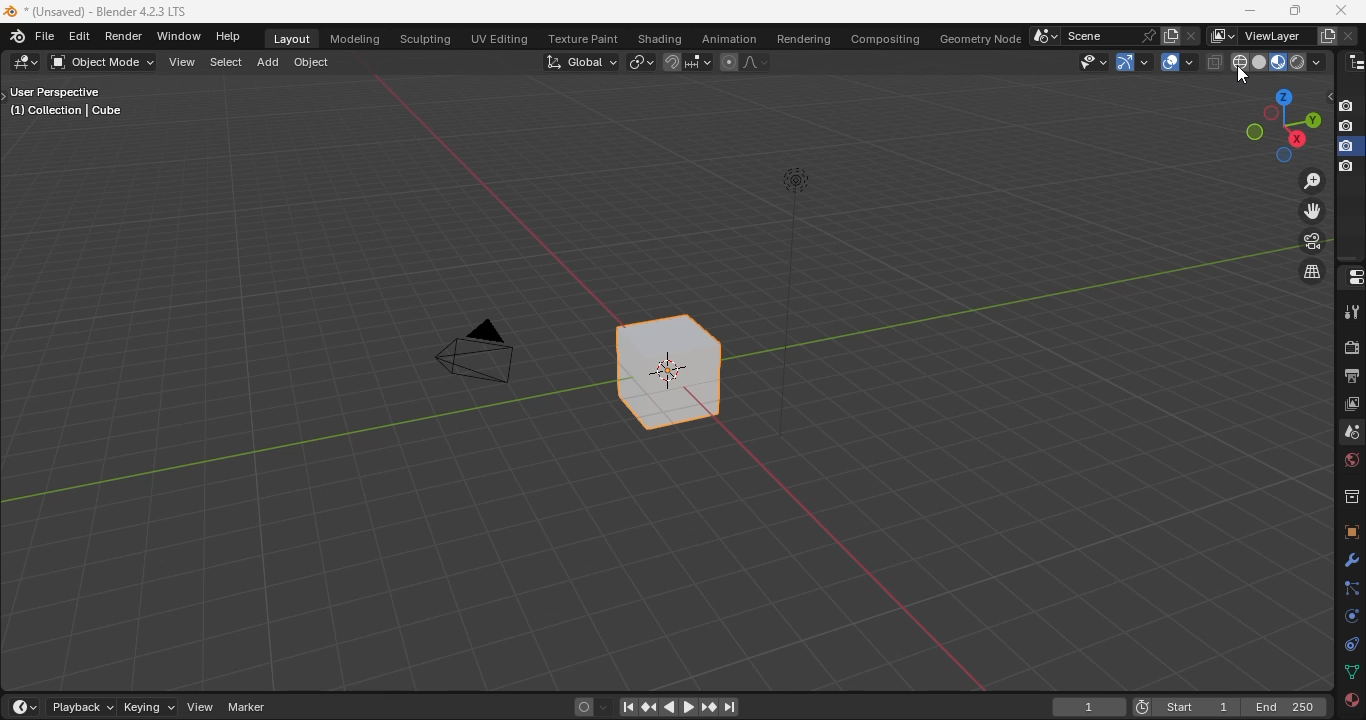 The height and width of the screenshot is (720, 1366). Describe the element at coordinates (73, 103) in the screenshot. I see `user perspective (1) Collection | cube` at that location.